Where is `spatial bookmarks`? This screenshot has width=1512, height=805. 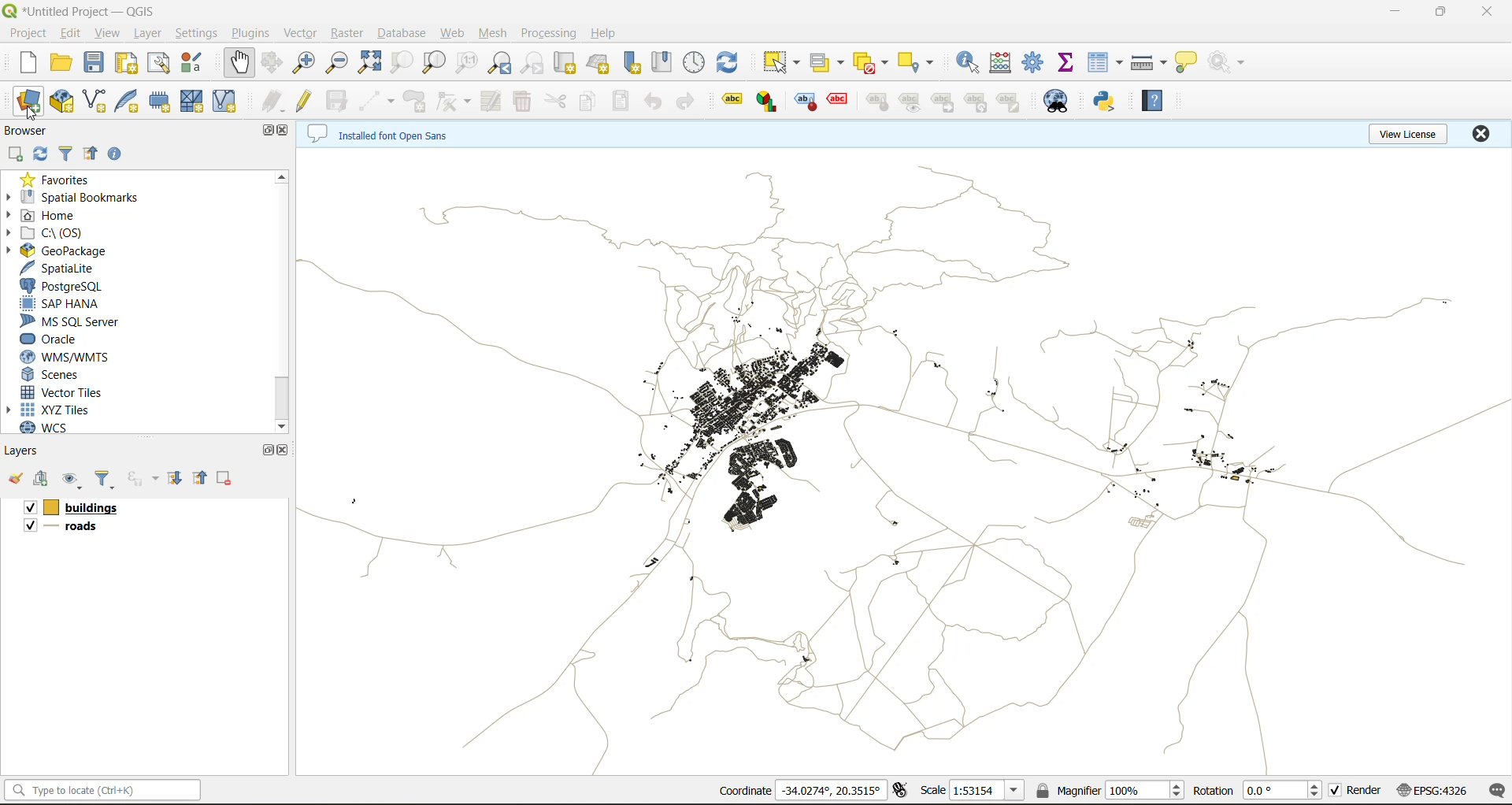 spatial bookmarks is located at coordinates (73, 198).